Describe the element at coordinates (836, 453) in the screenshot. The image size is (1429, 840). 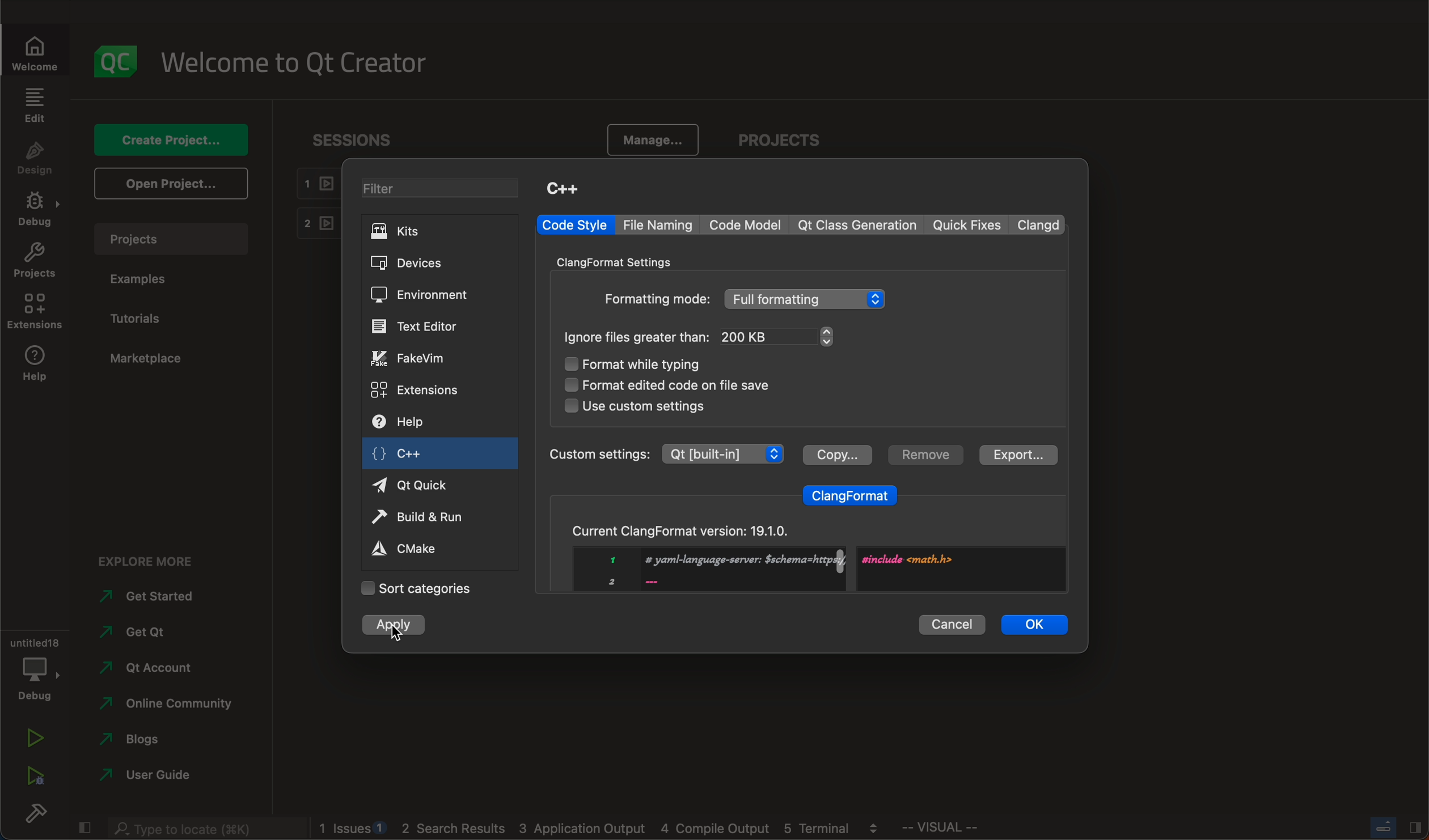
I see `copy` at that location.